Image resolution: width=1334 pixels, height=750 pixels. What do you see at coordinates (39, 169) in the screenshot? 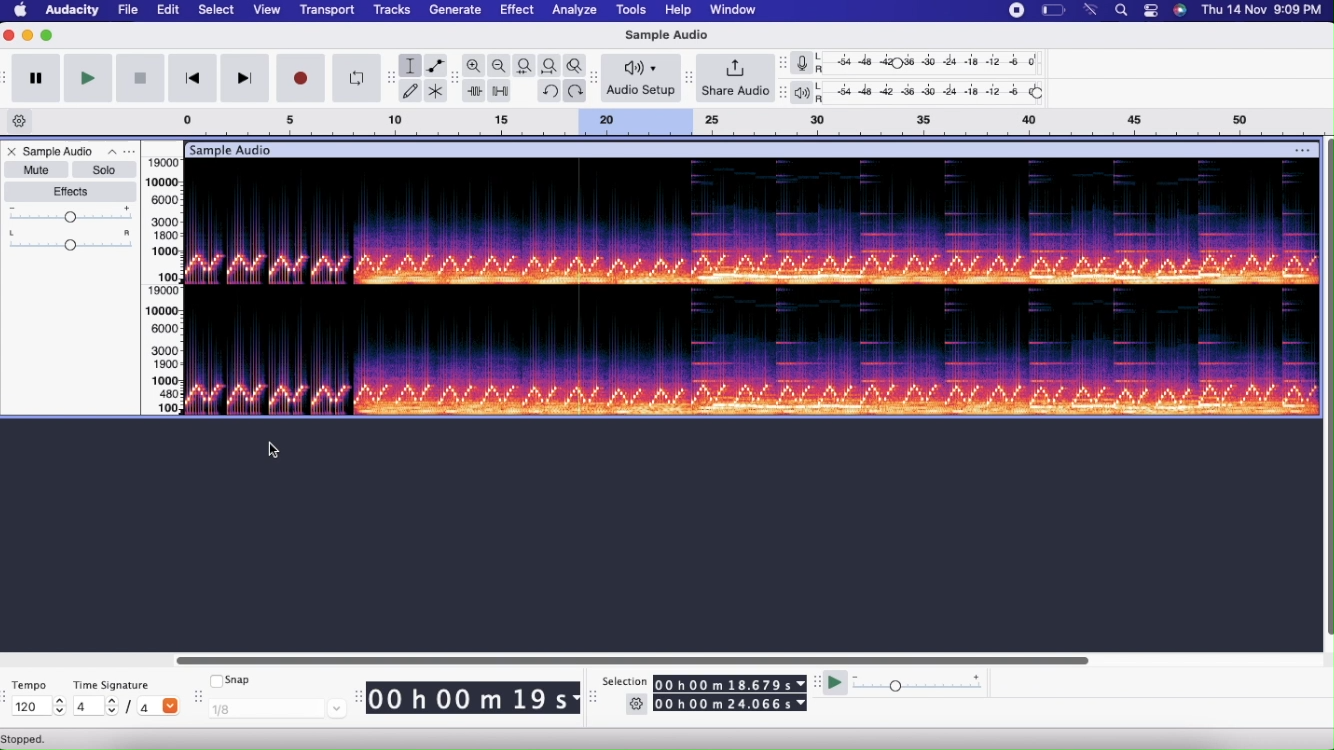
I see `Mute` at bounding box center [39, 169].